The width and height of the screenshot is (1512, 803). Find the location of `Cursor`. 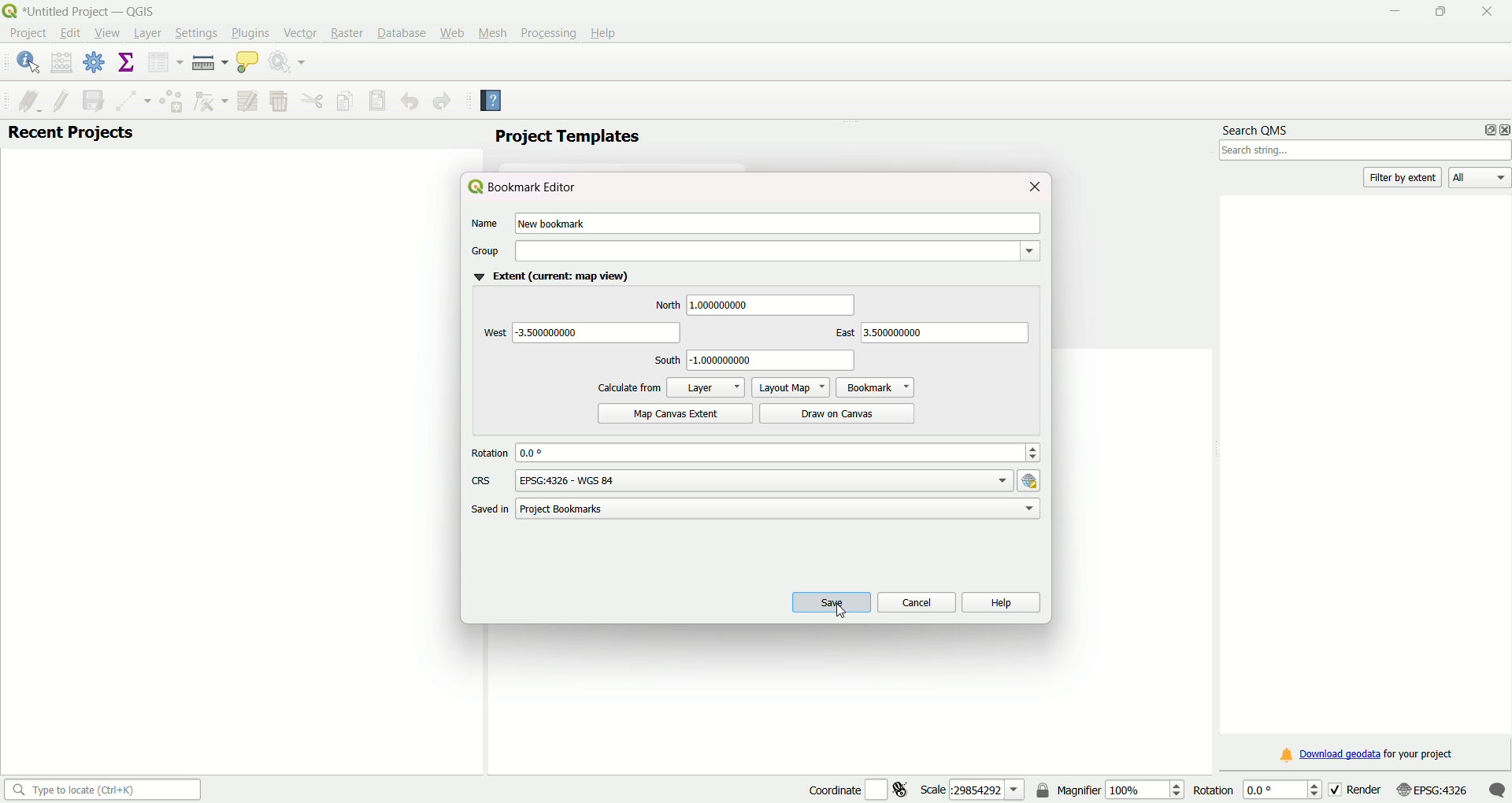

Cursor is located at coordinates (113, 37).